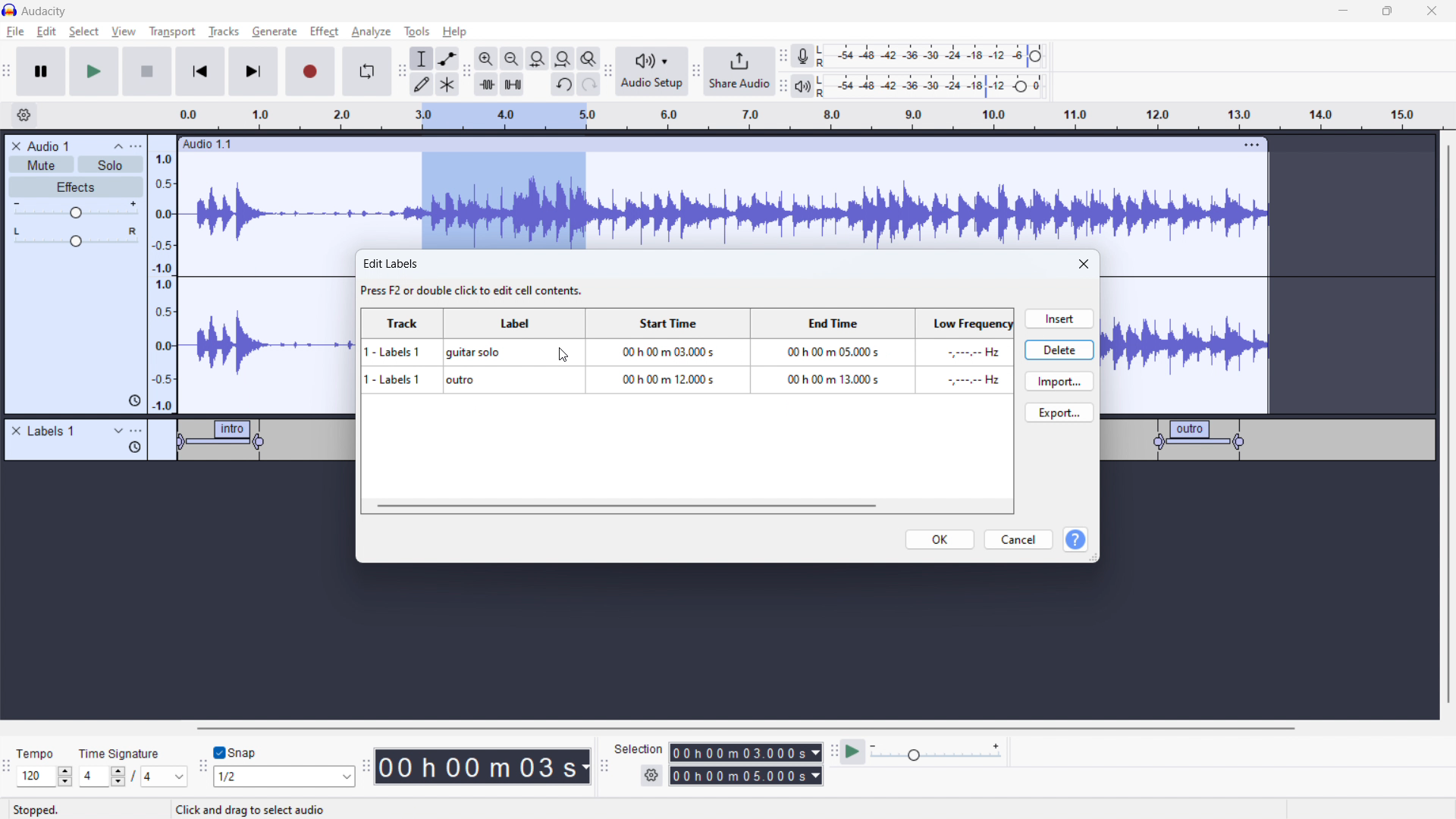 This screenshot has width=1456, height=819. I want to click on insert, so click(1058, 318).